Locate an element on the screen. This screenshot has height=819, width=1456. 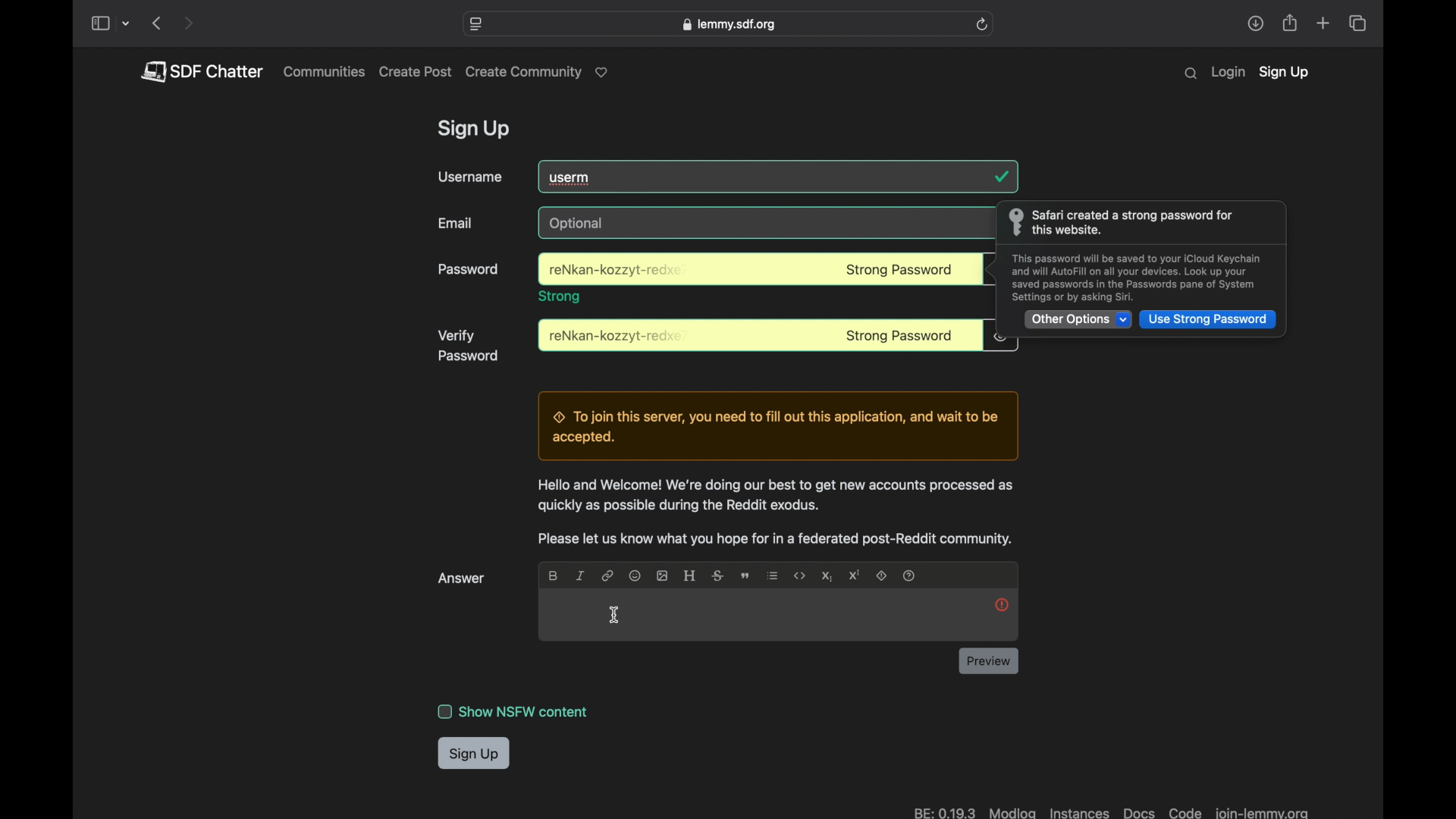
italic is located at coordinates (581, 576).